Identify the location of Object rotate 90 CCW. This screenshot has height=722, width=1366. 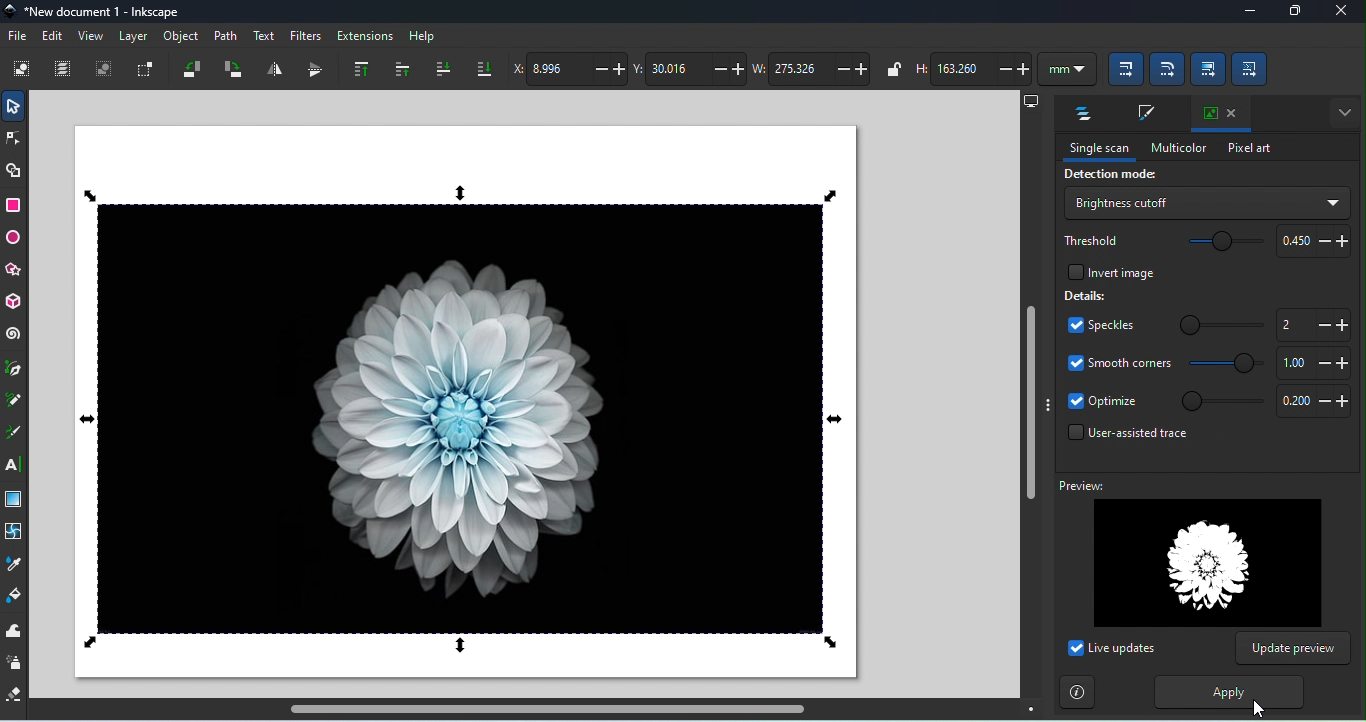
(191, 72).